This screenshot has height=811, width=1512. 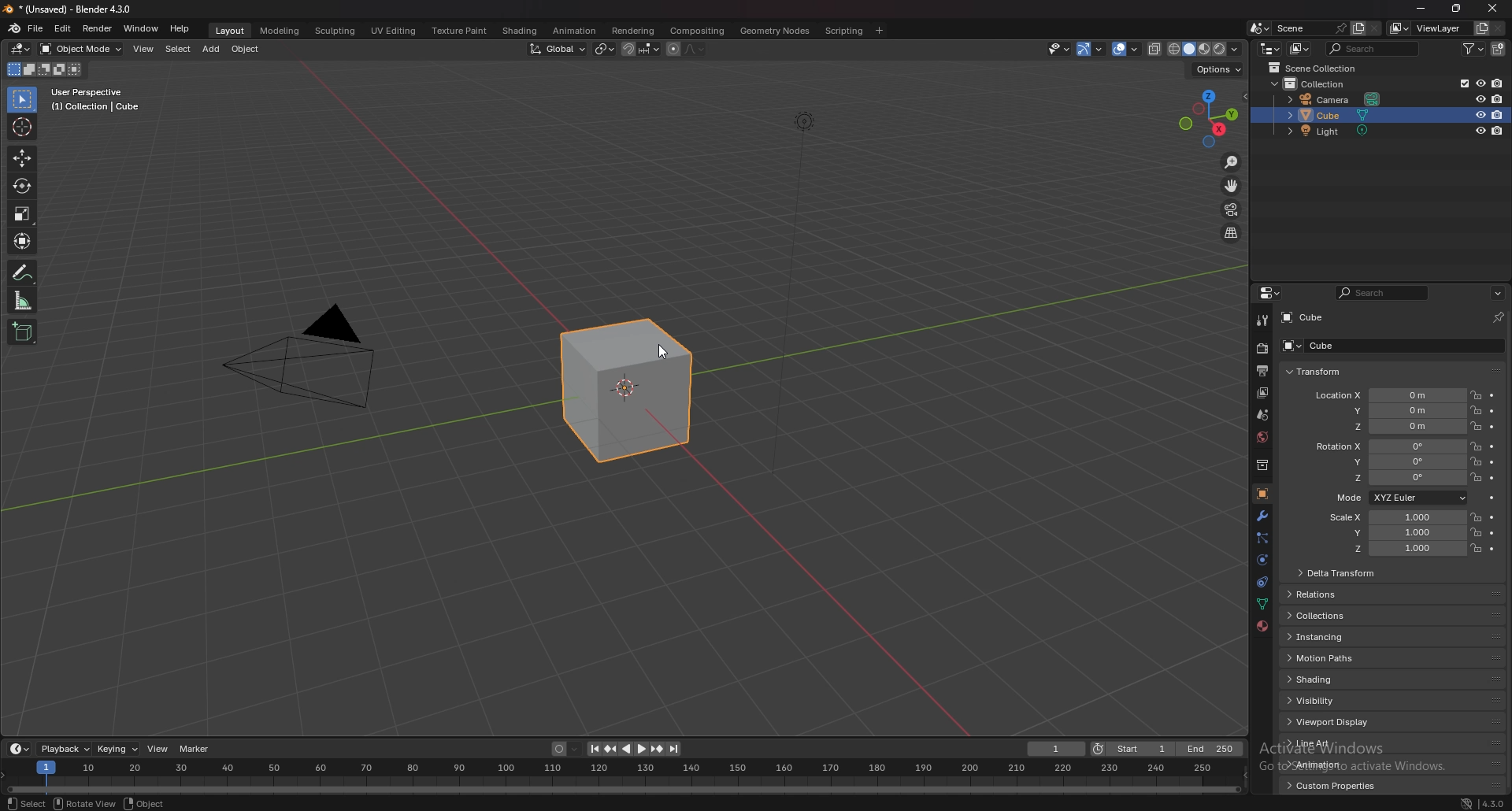 What do you see at coordinates (1492, 396) in the screenshot?
I see `animate property` at bounding box center [1492, 396].